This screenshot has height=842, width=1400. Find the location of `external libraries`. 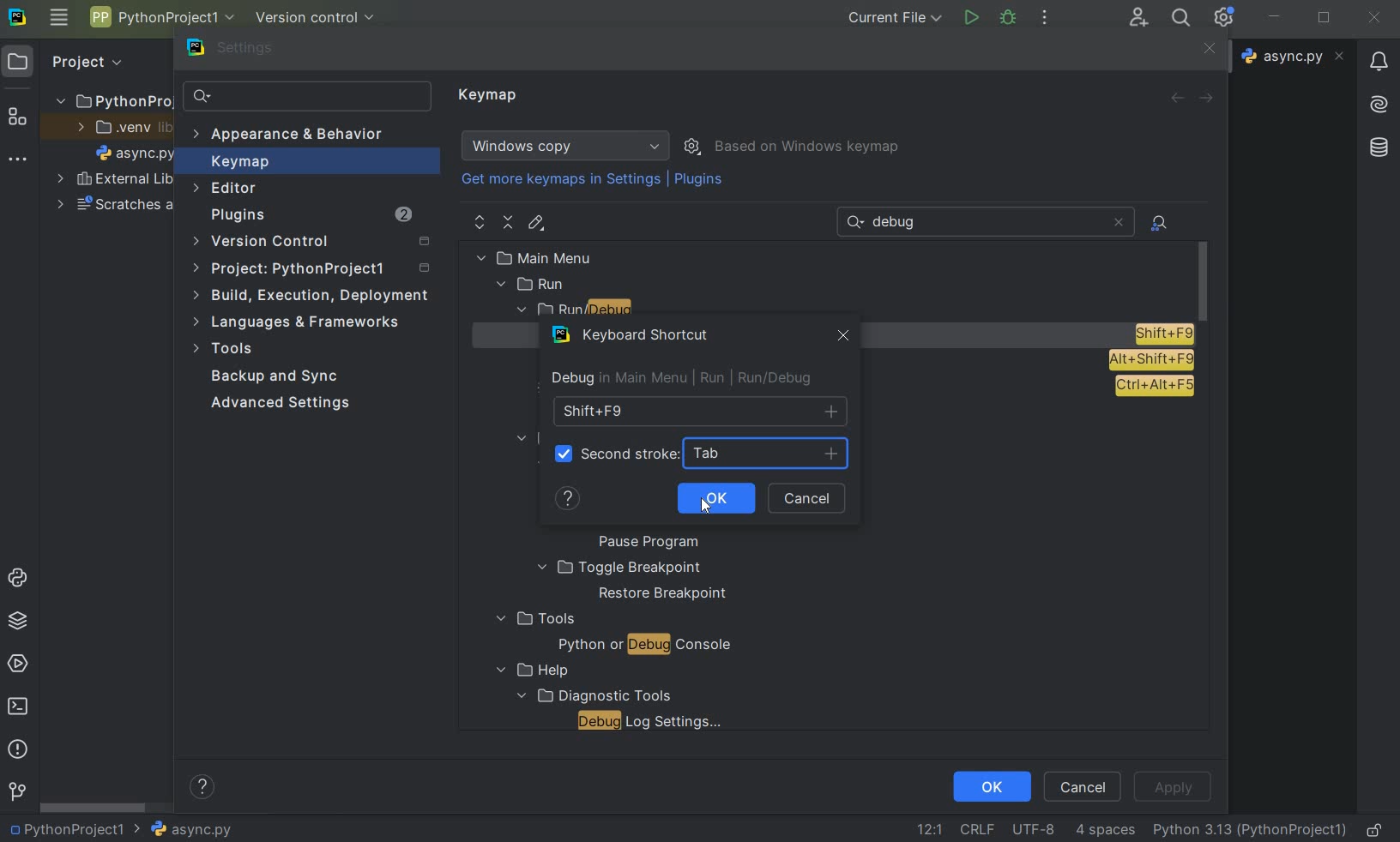

external libraries is located at coordinates (115, 181).